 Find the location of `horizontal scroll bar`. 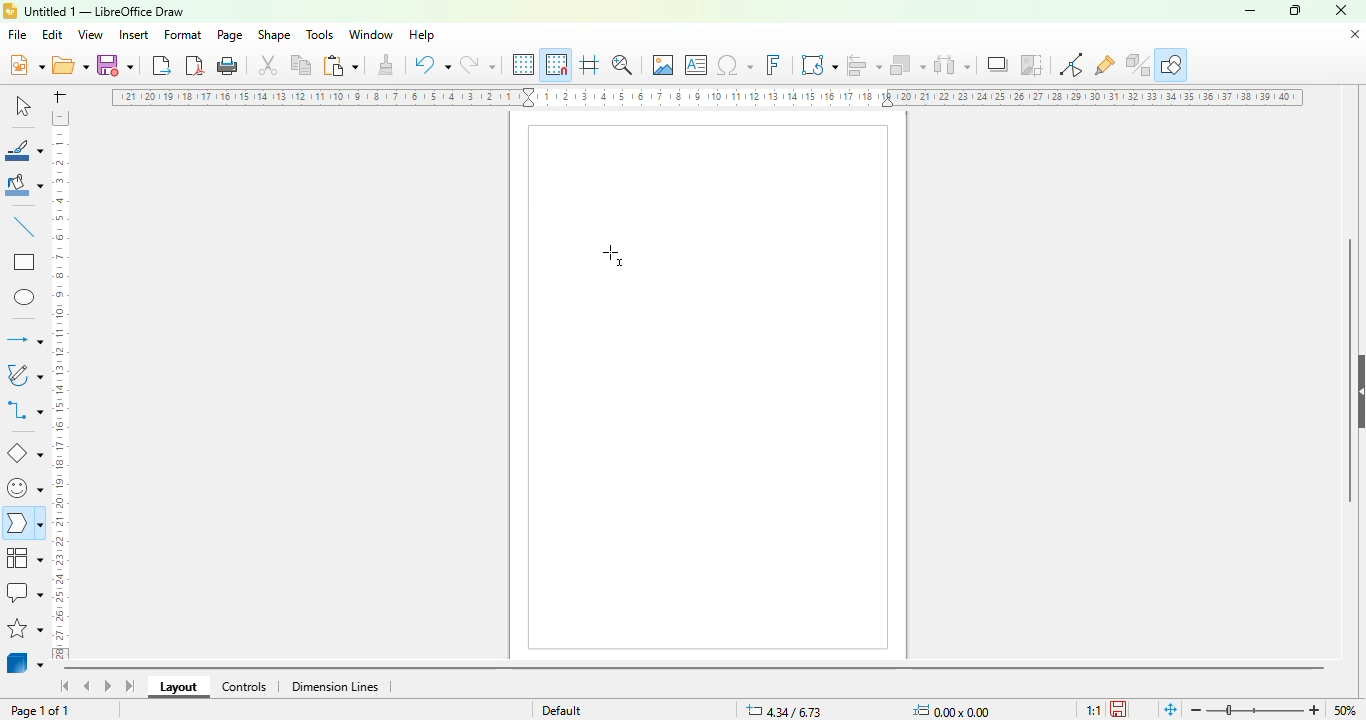

horizontal scroll bar is located at coordinates (695, 670).